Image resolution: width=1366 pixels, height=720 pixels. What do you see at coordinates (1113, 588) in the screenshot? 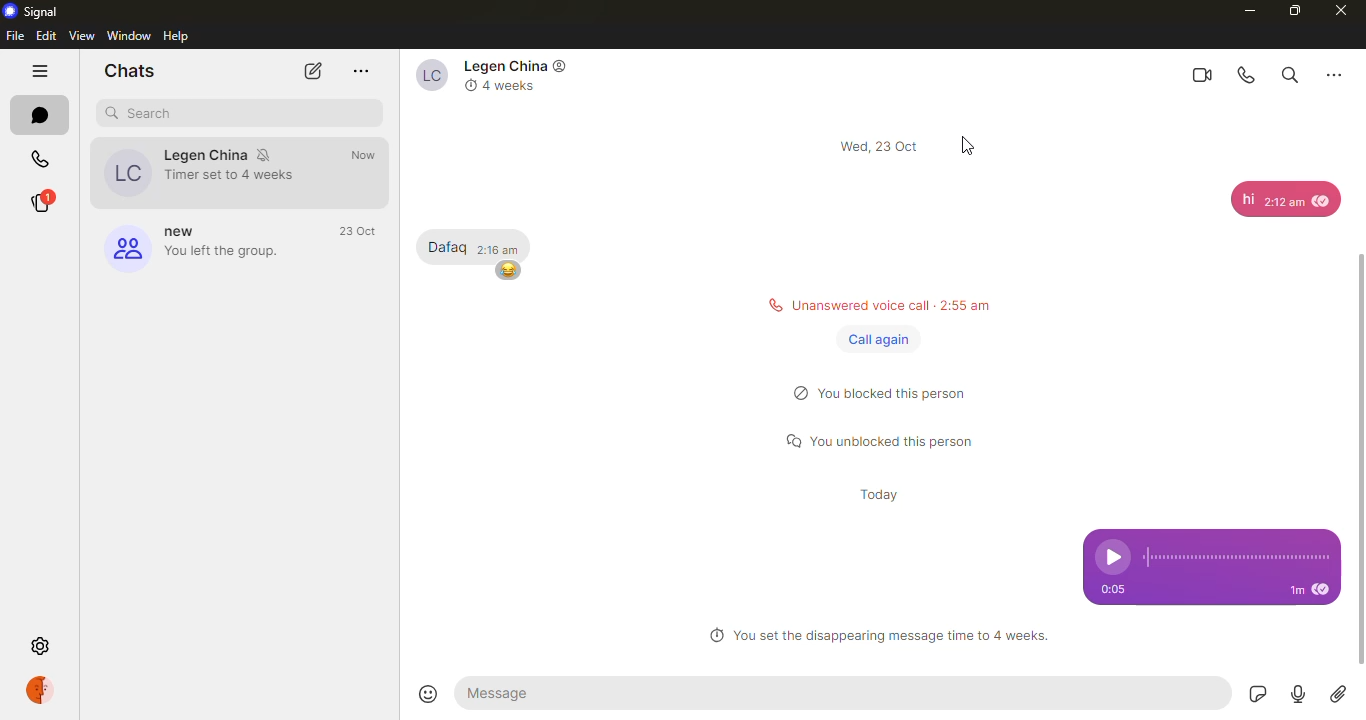
I see `time` at bounding box center [1113, 588].